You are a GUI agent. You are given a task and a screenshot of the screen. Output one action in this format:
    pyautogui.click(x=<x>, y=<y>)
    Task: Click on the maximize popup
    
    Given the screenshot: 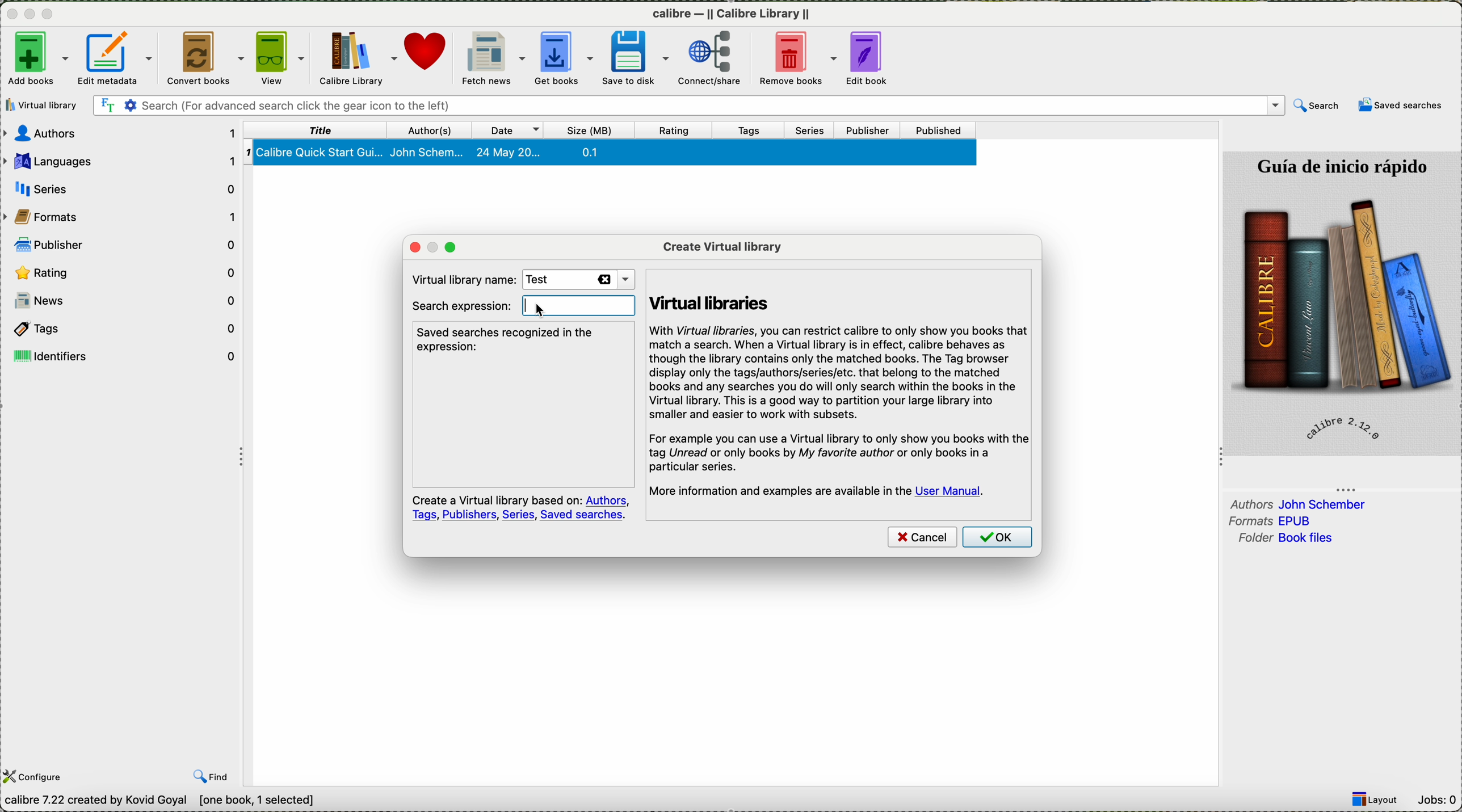 What is the action you would take?
    pyautogui.click(x=456, y=247)
    